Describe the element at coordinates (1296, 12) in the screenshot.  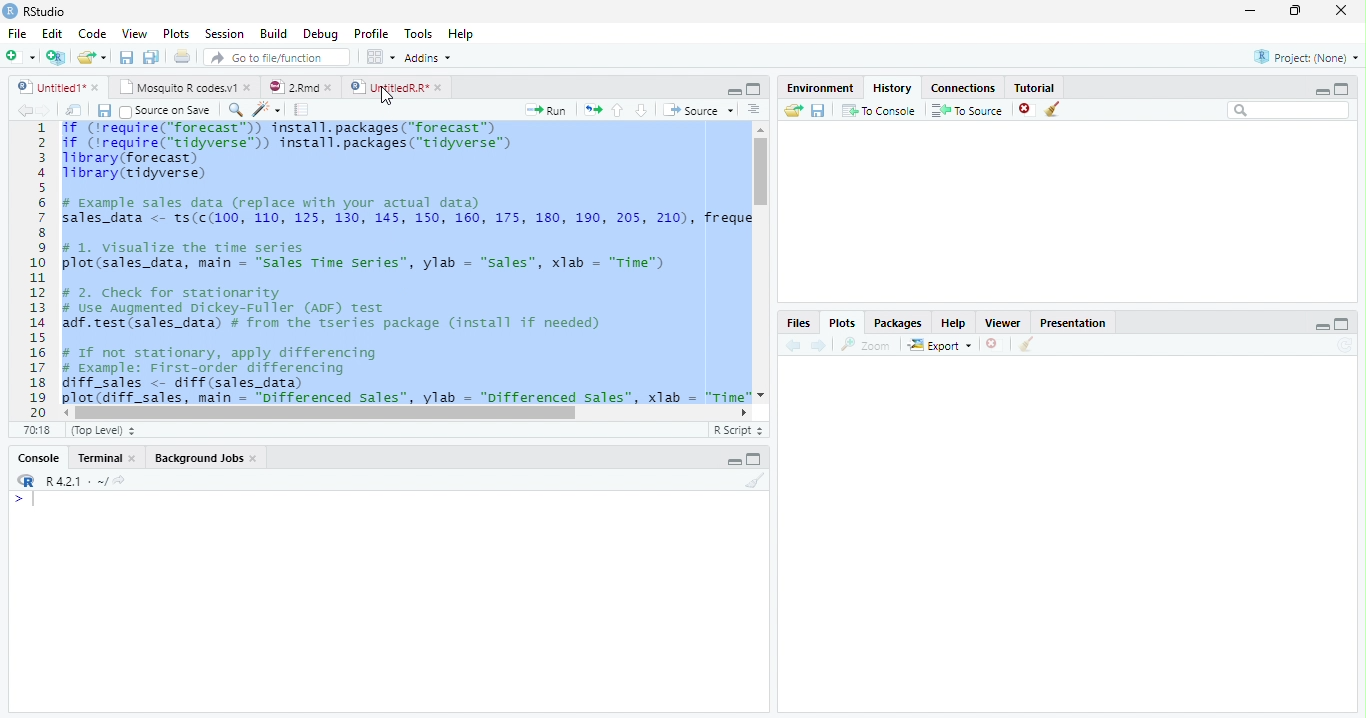
I see `Restore Down` at that location.